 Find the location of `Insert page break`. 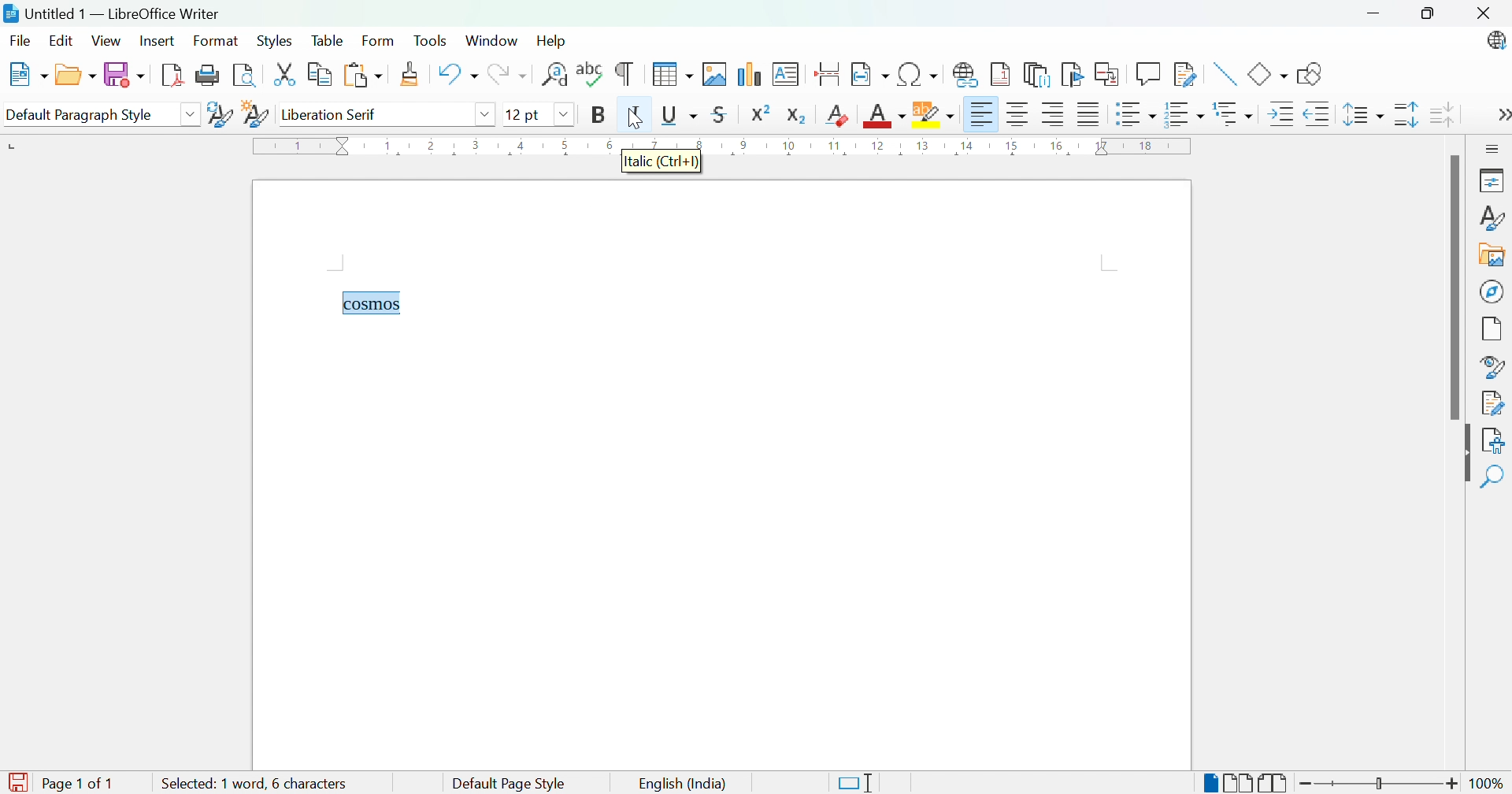

Insert page break is located at coordinates (829, 74).